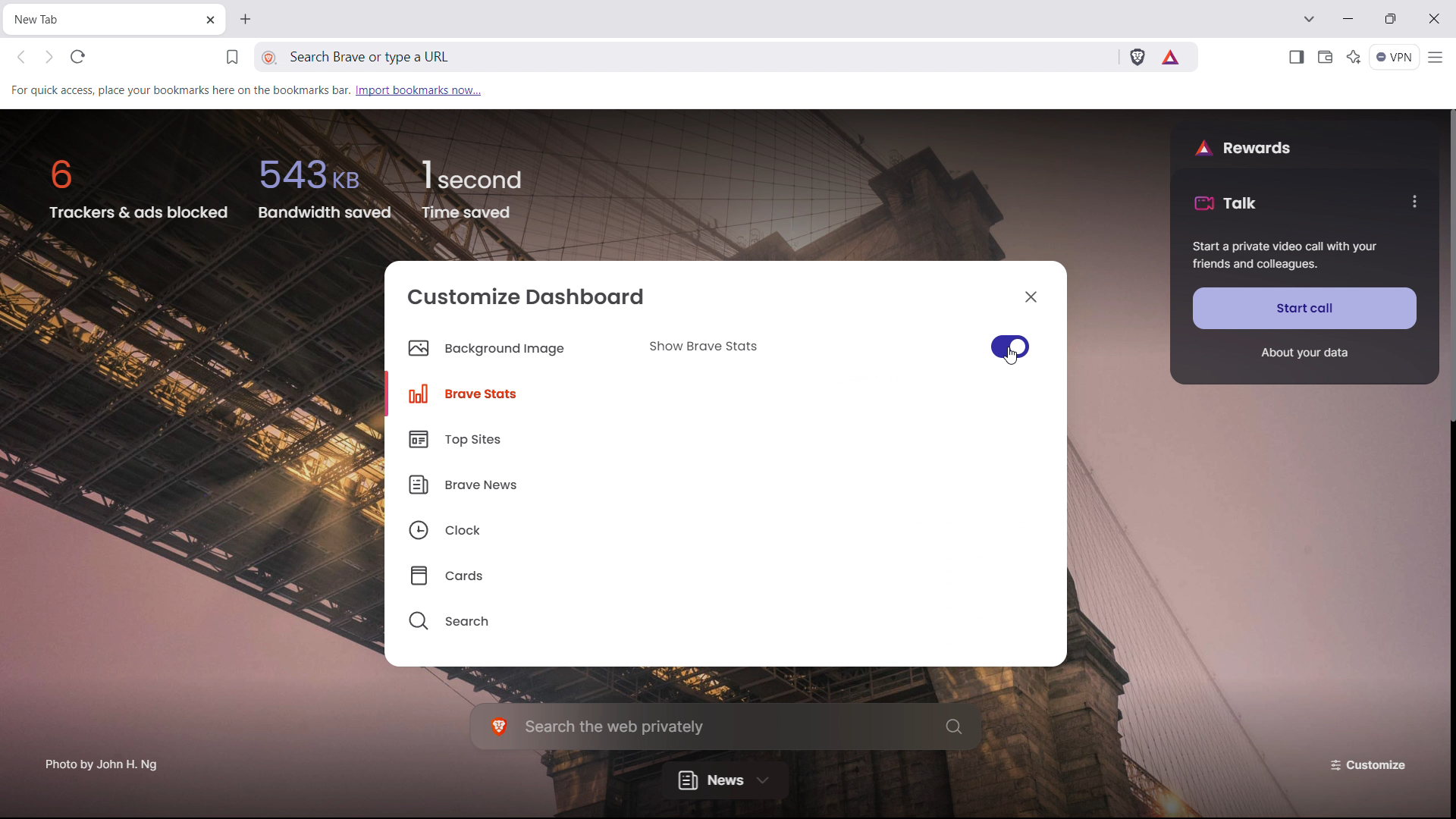 Image resolution: width=1456 pixels, height=819 pixels. Describe the element at coordinates (1243, 146) in the screenshot. I see `rewards` at that location.